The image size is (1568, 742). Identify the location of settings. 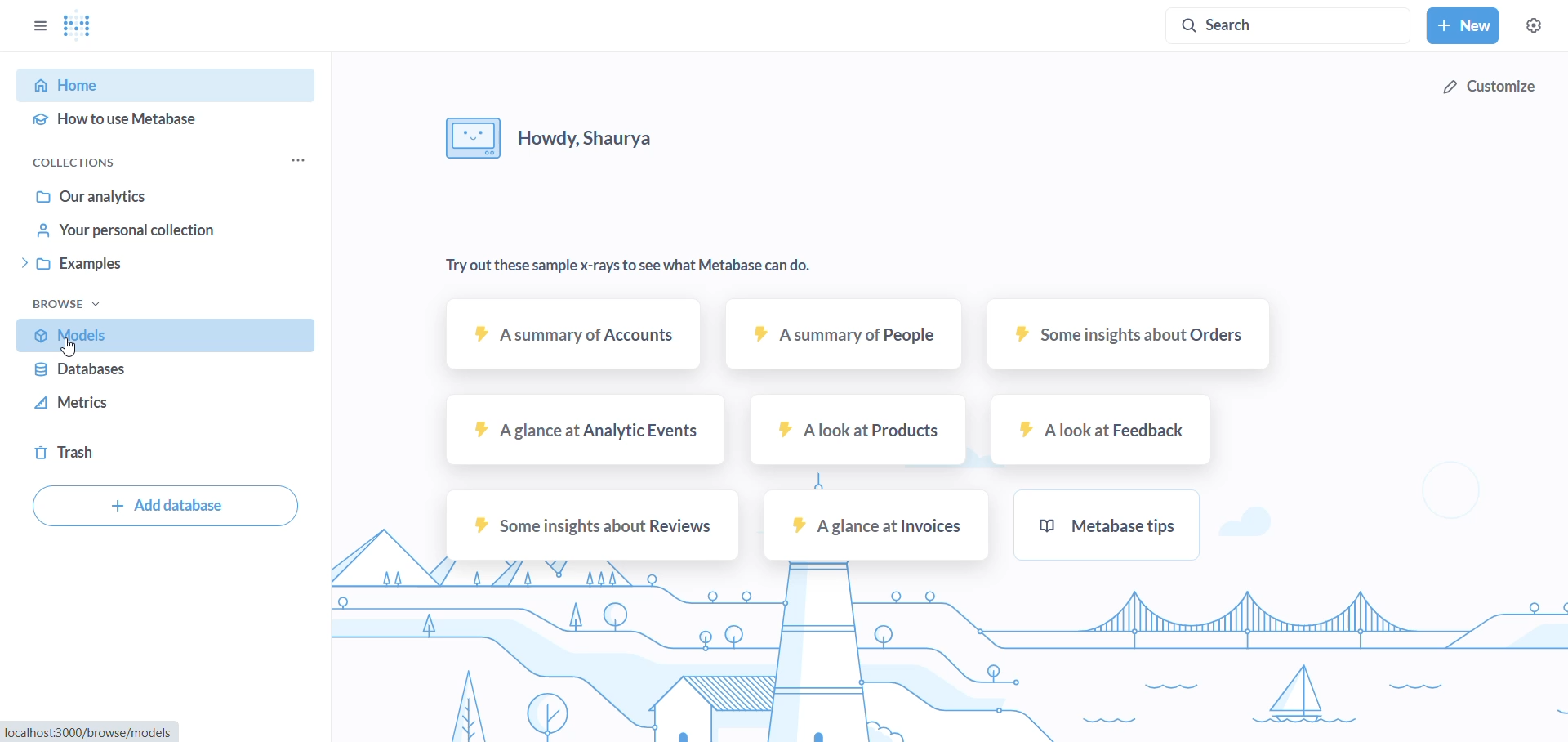
(1538, 22).